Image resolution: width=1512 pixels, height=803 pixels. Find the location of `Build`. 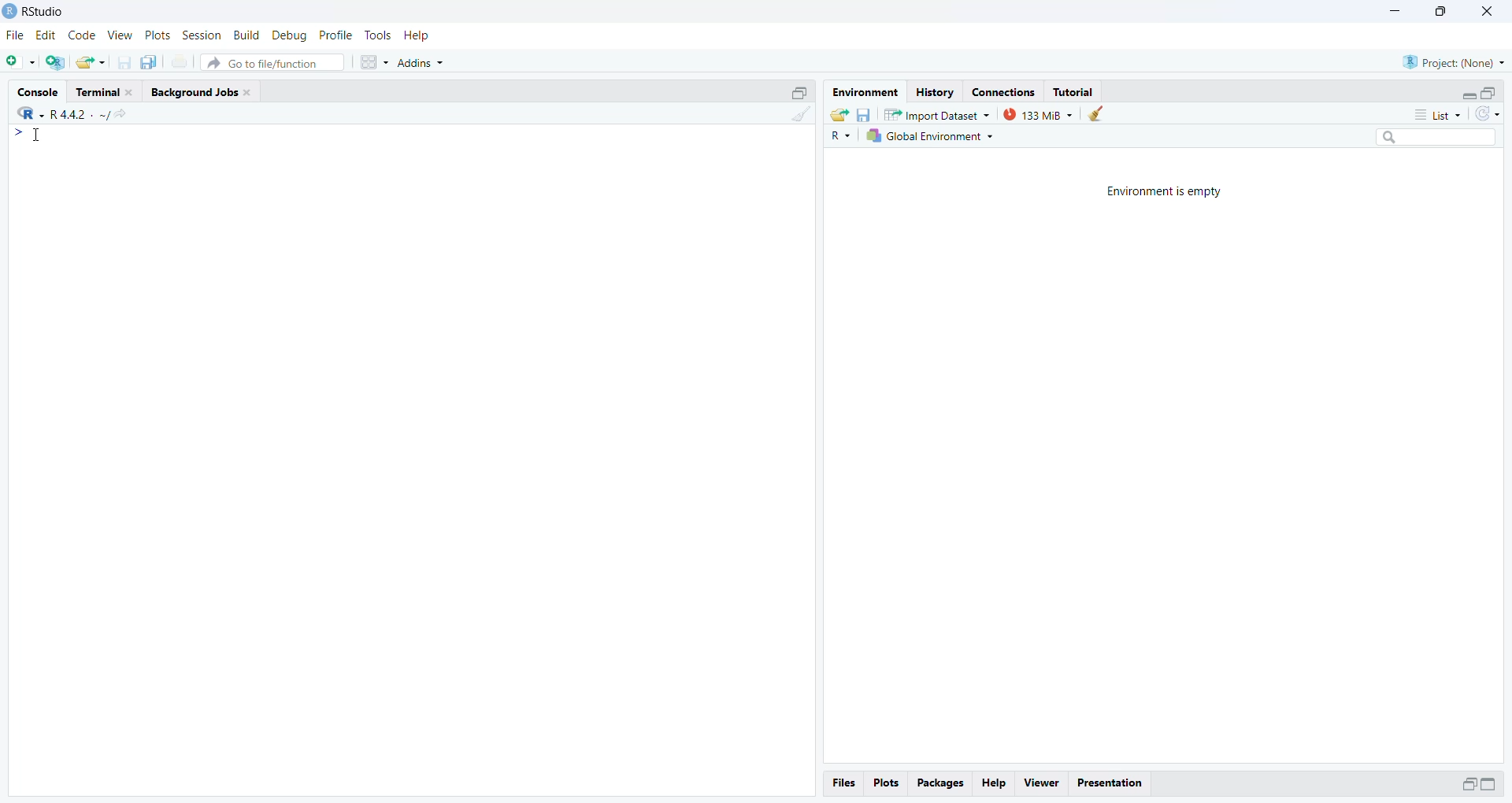

Build is located at coordinates (247, 35).